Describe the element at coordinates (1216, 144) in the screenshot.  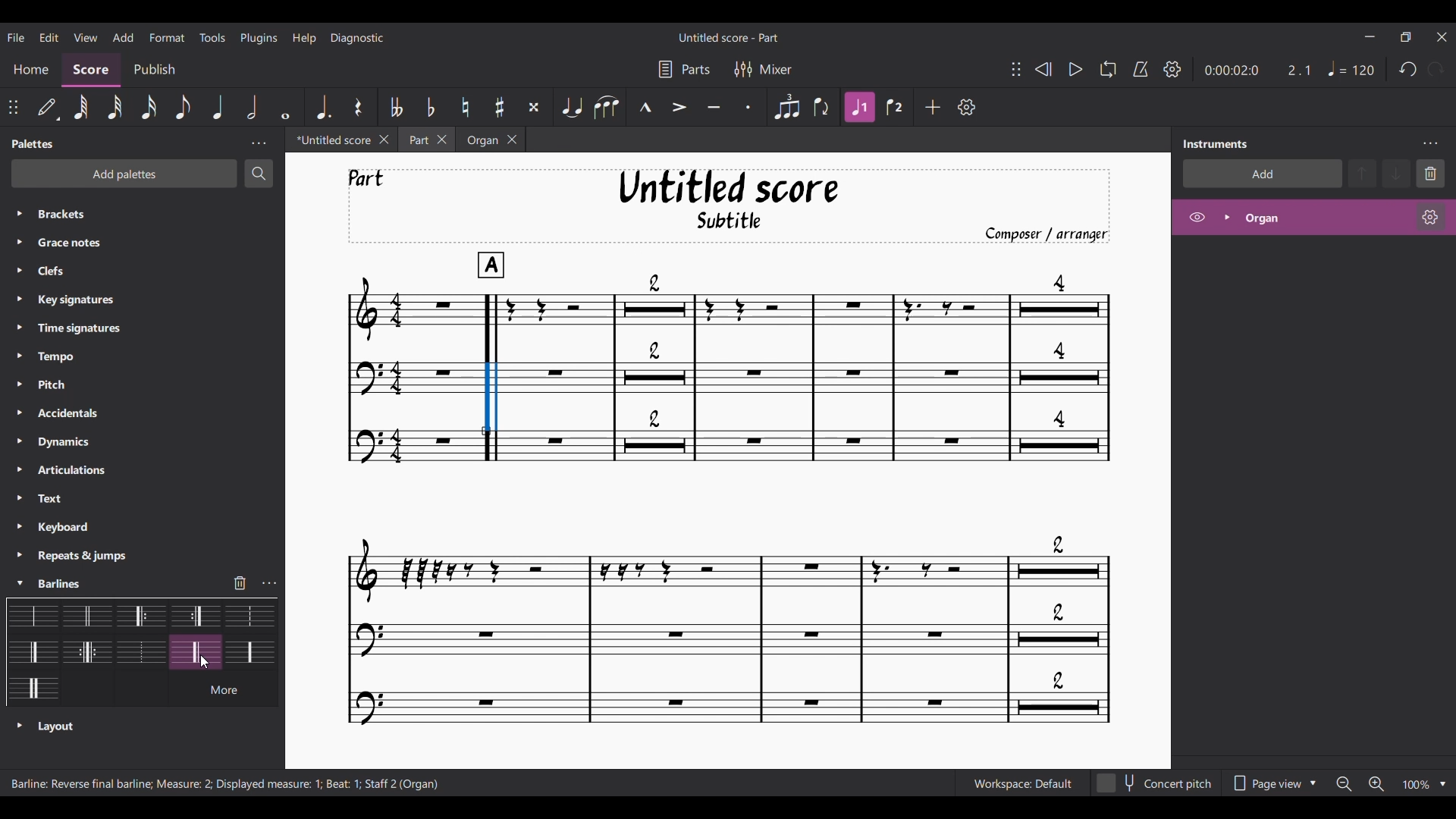
I see `Panel title` at that location.